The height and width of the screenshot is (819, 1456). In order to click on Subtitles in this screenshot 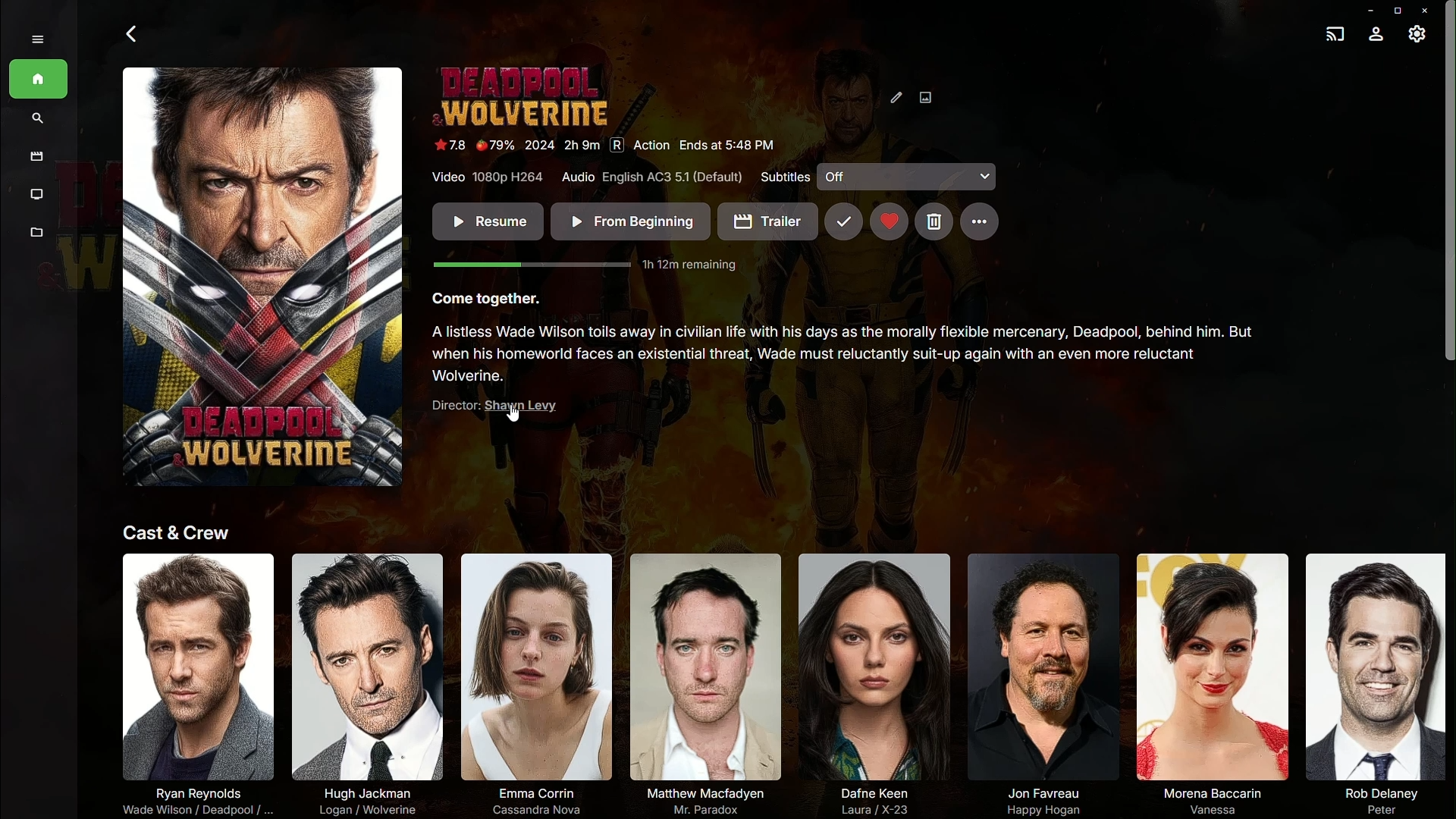, I will do `click(883, 177)`.